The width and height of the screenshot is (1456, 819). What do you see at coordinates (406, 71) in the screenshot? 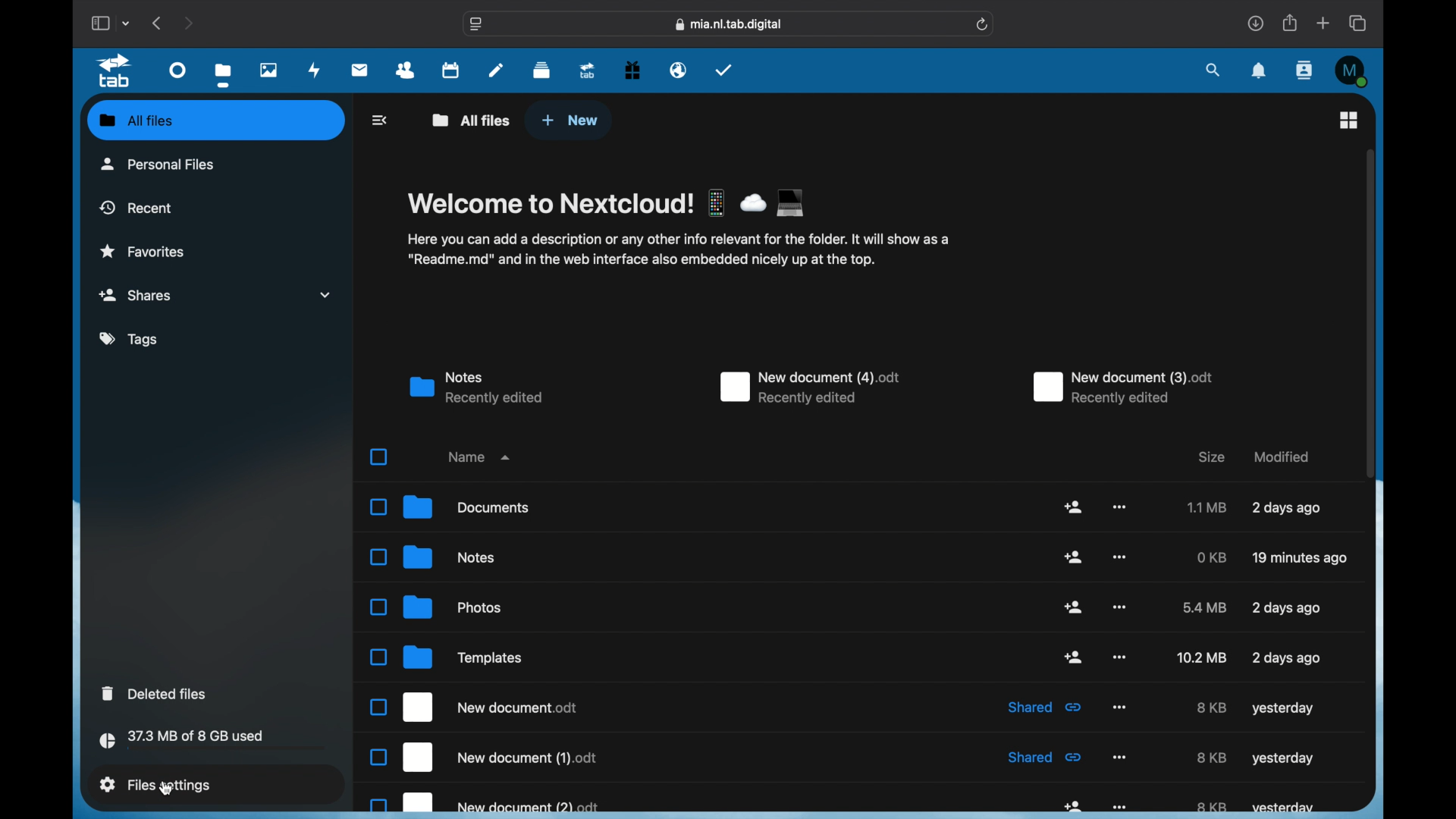
I see `contacts` at bounding box center [406, 71].